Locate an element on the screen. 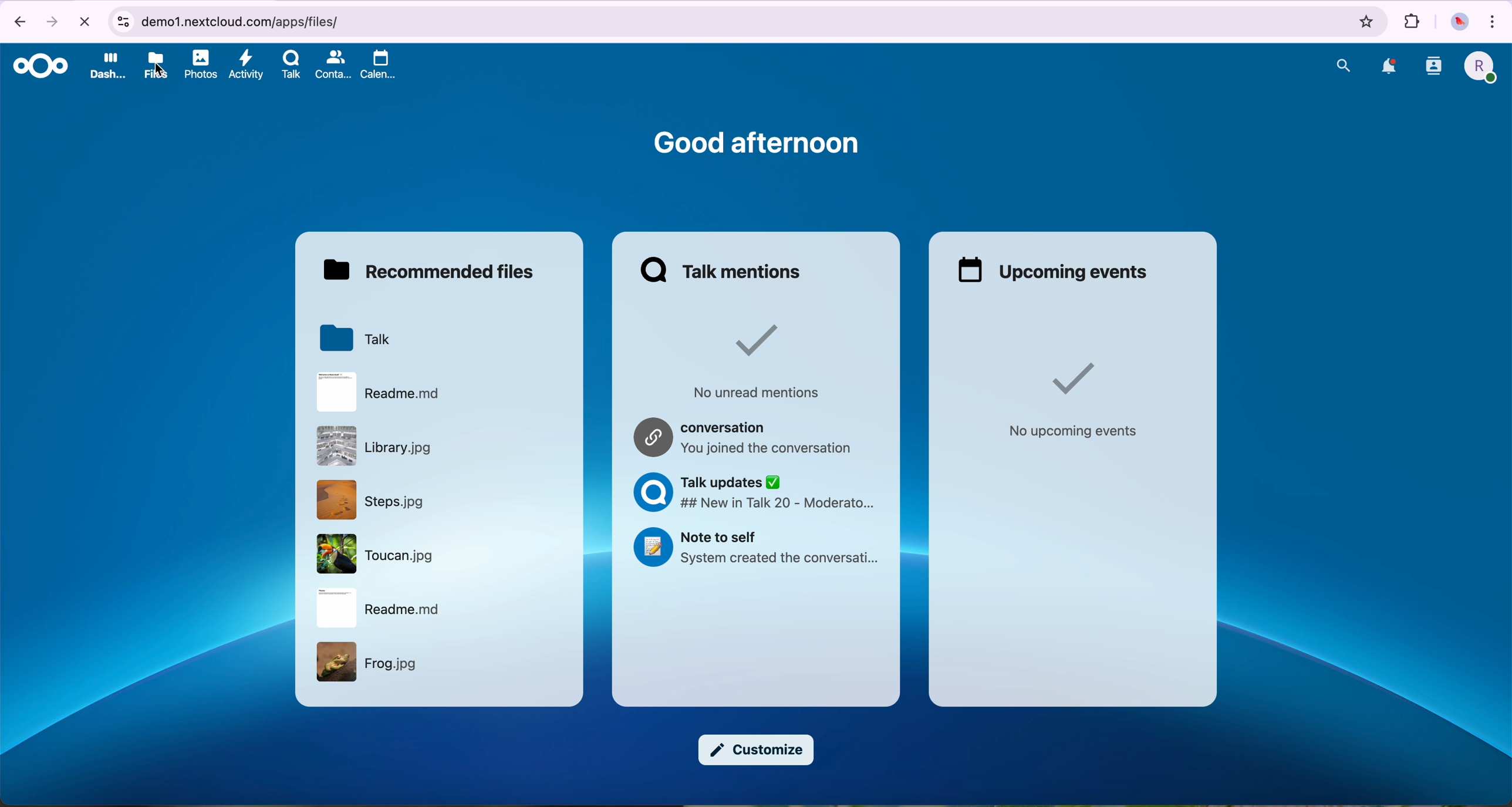  good afternoon is located at coordinates (754, 141).